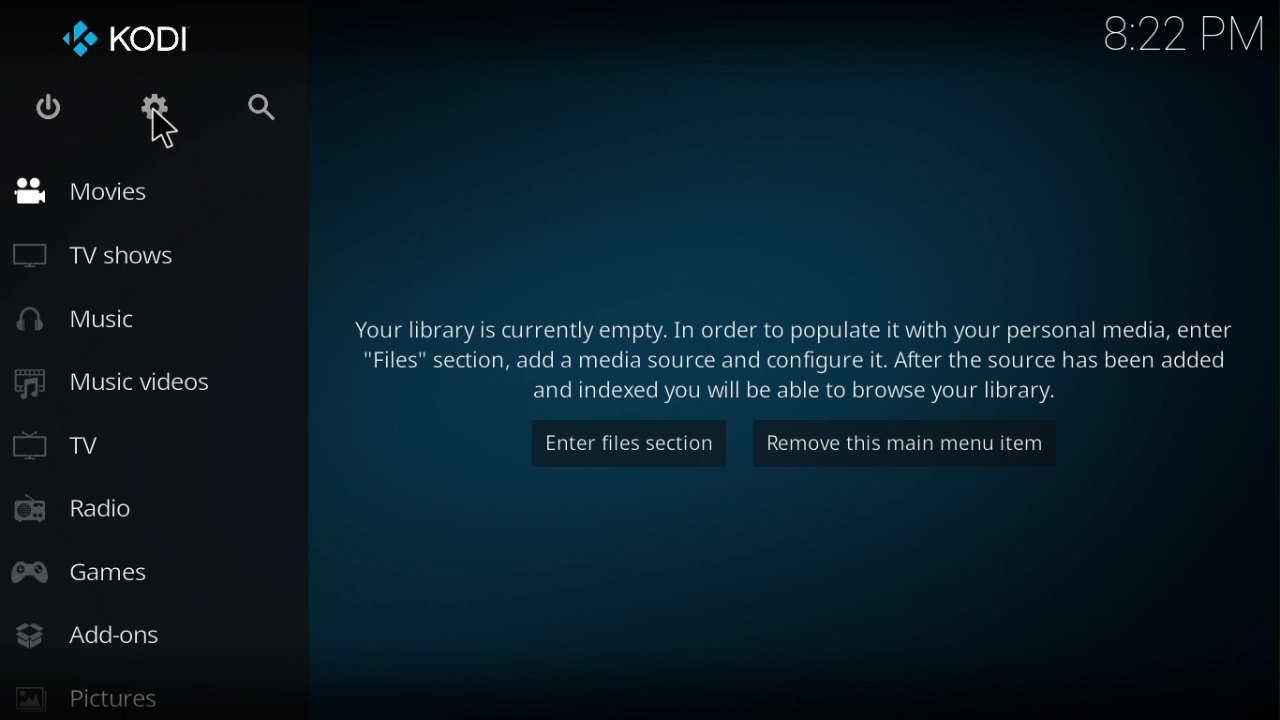 Image resolution: width=1280 pixels, height=720 pixels. Describe the element at coordinates (624, 447) in the screenshot. I see `enter this section` at that location.